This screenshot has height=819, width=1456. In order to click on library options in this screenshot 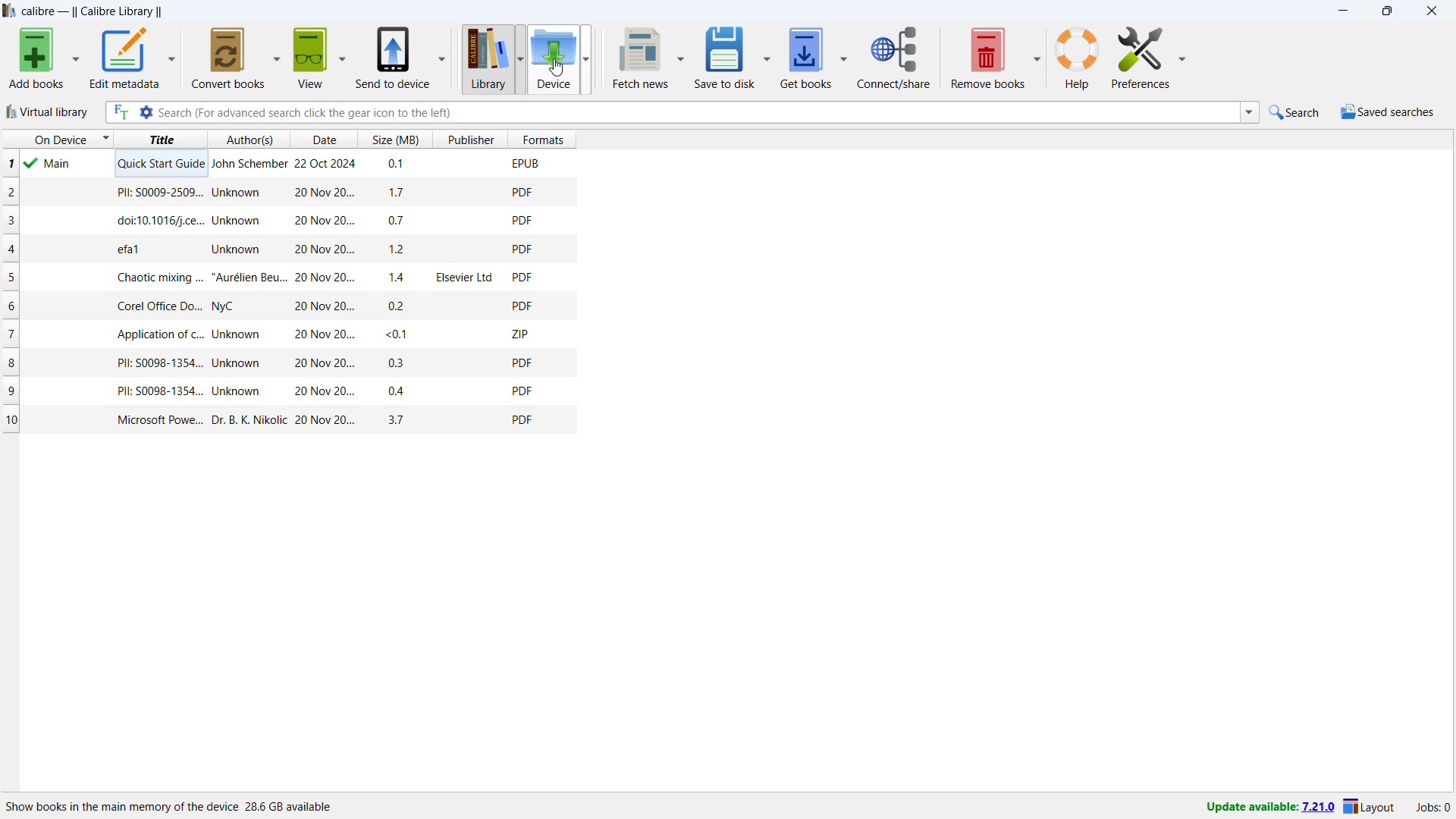, I will do `click(520, 60)`.